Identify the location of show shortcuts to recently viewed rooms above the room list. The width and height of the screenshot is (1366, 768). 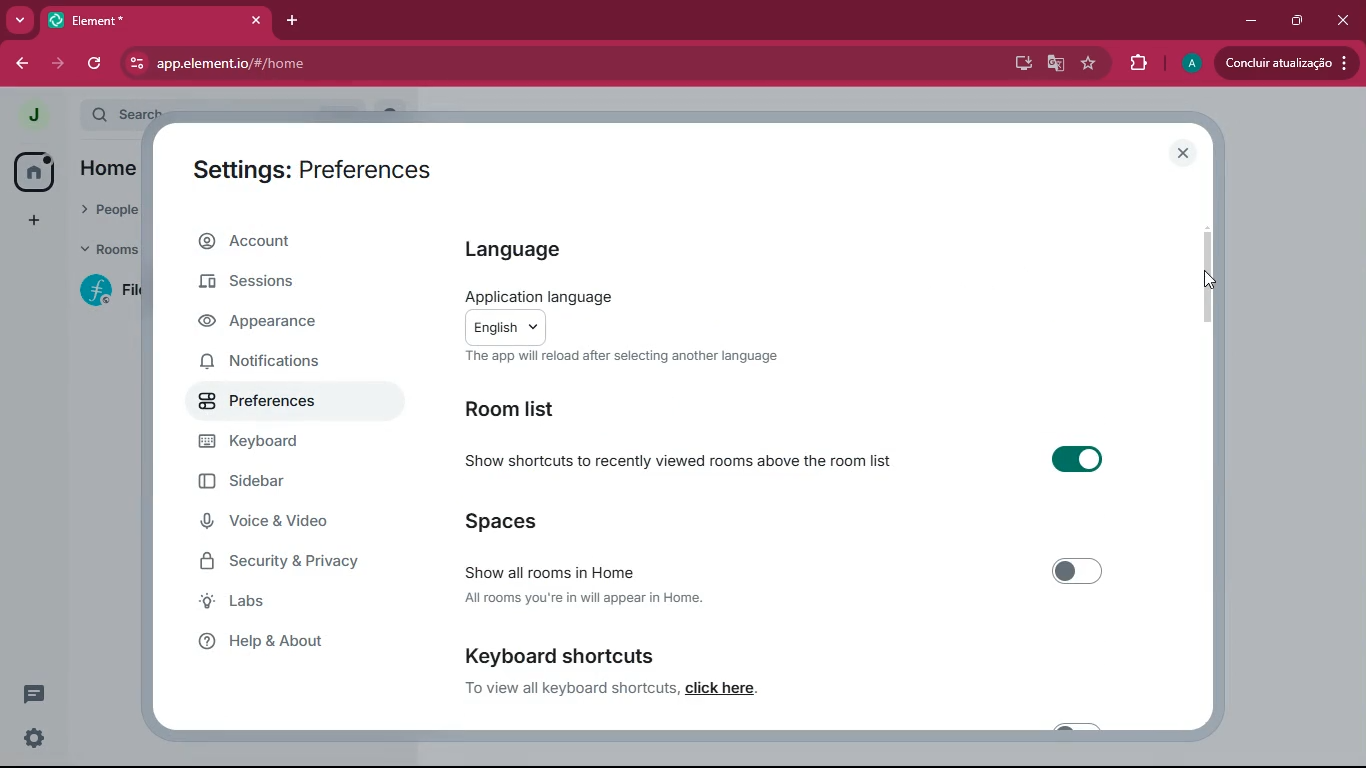
(677, 457).